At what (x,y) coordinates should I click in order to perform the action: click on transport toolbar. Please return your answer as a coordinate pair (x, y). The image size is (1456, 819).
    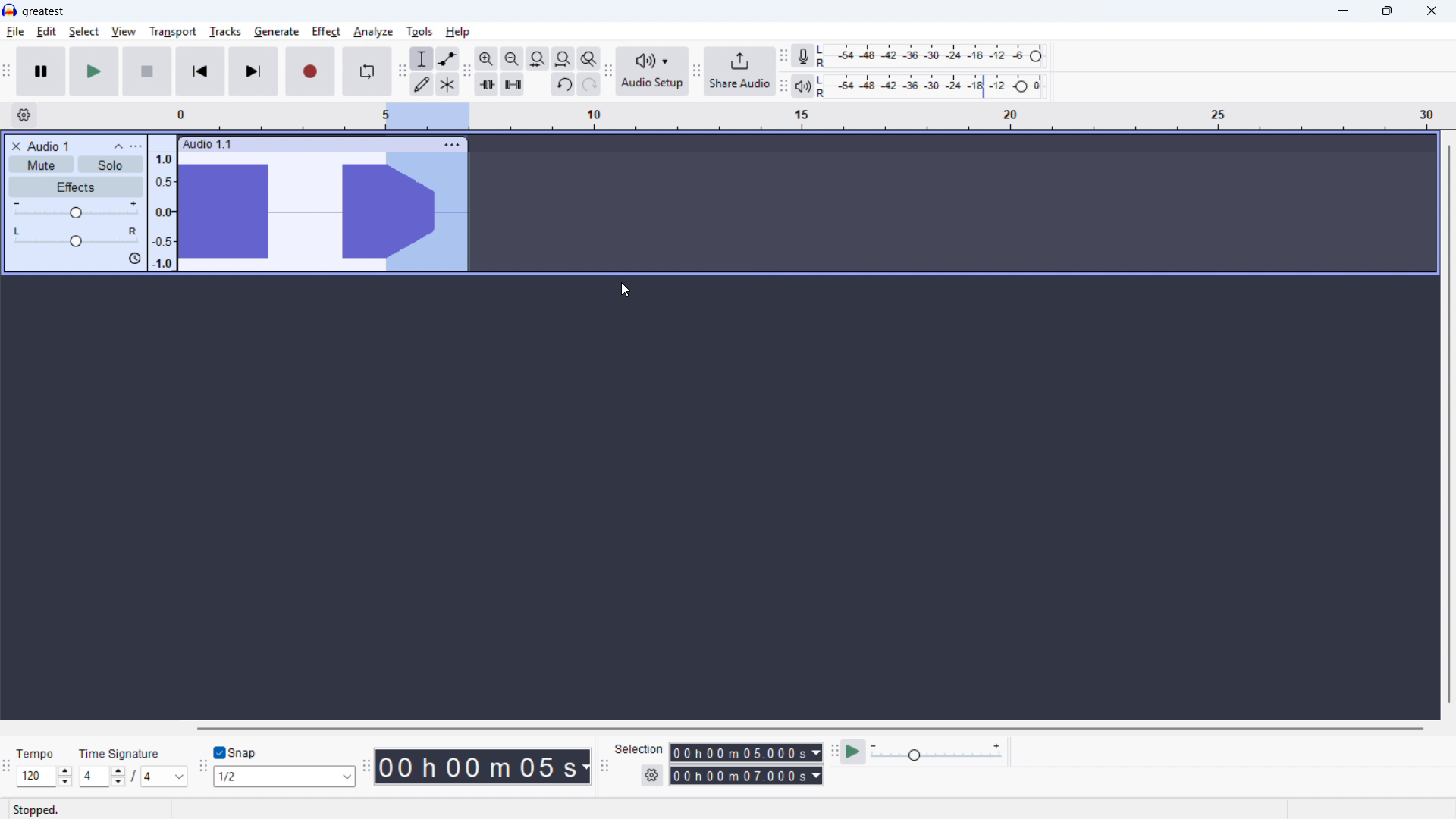
    Looking at the image, I should click on (7, 73).